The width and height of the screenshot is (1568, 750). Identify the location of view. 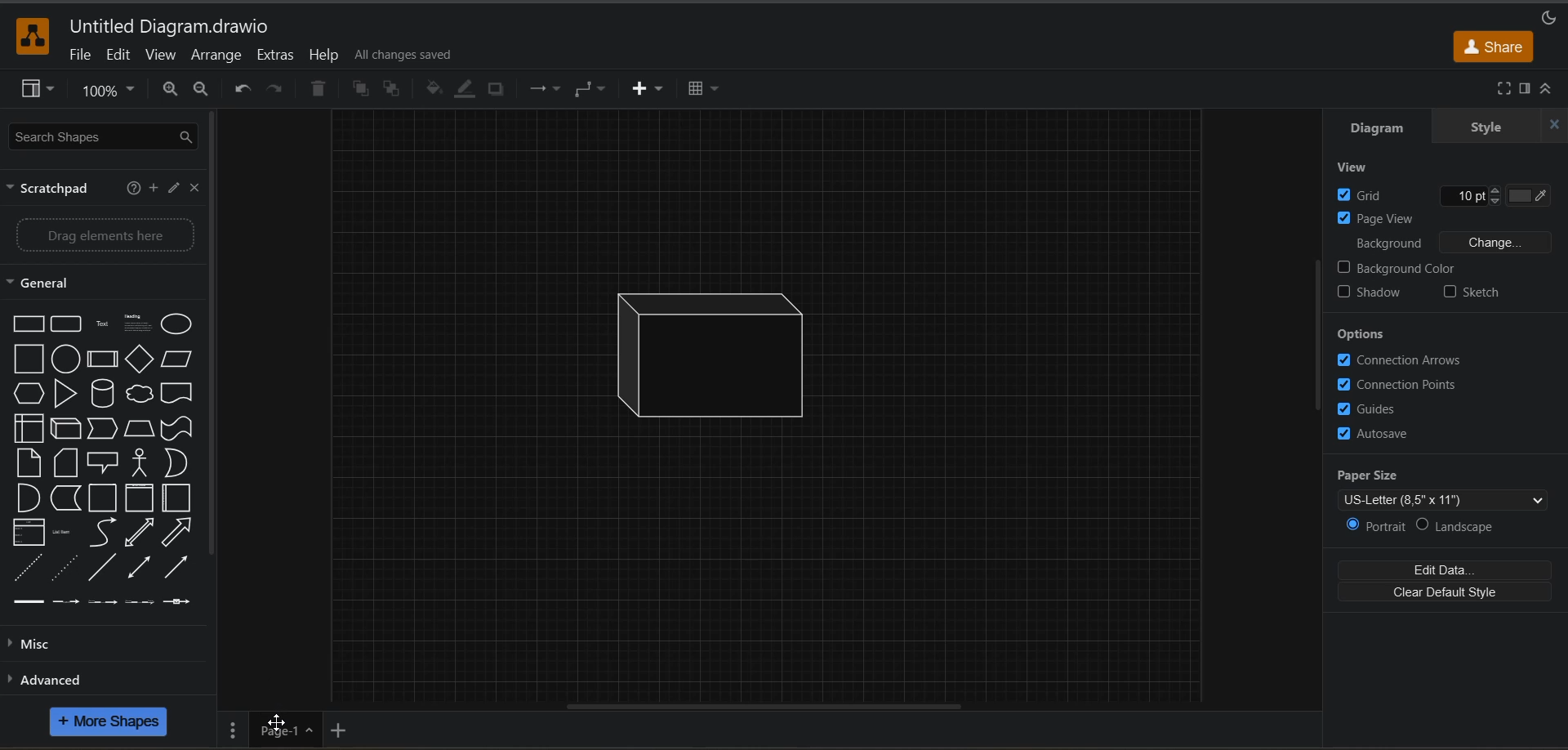
(161, 56).